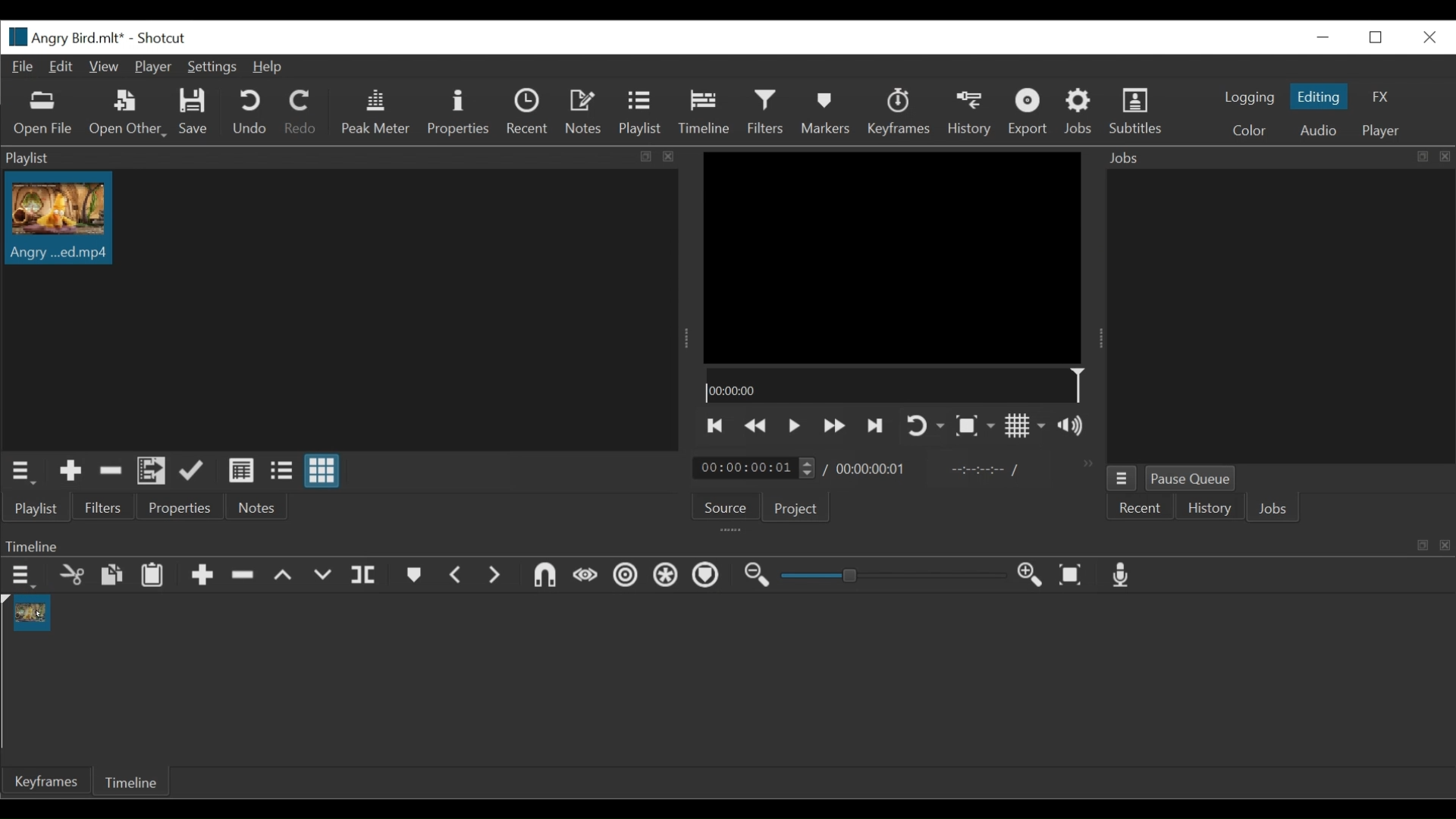 The height and width of the screenshot is (819, 1456). I want to click on Playlist Panel, so click(340, 158).